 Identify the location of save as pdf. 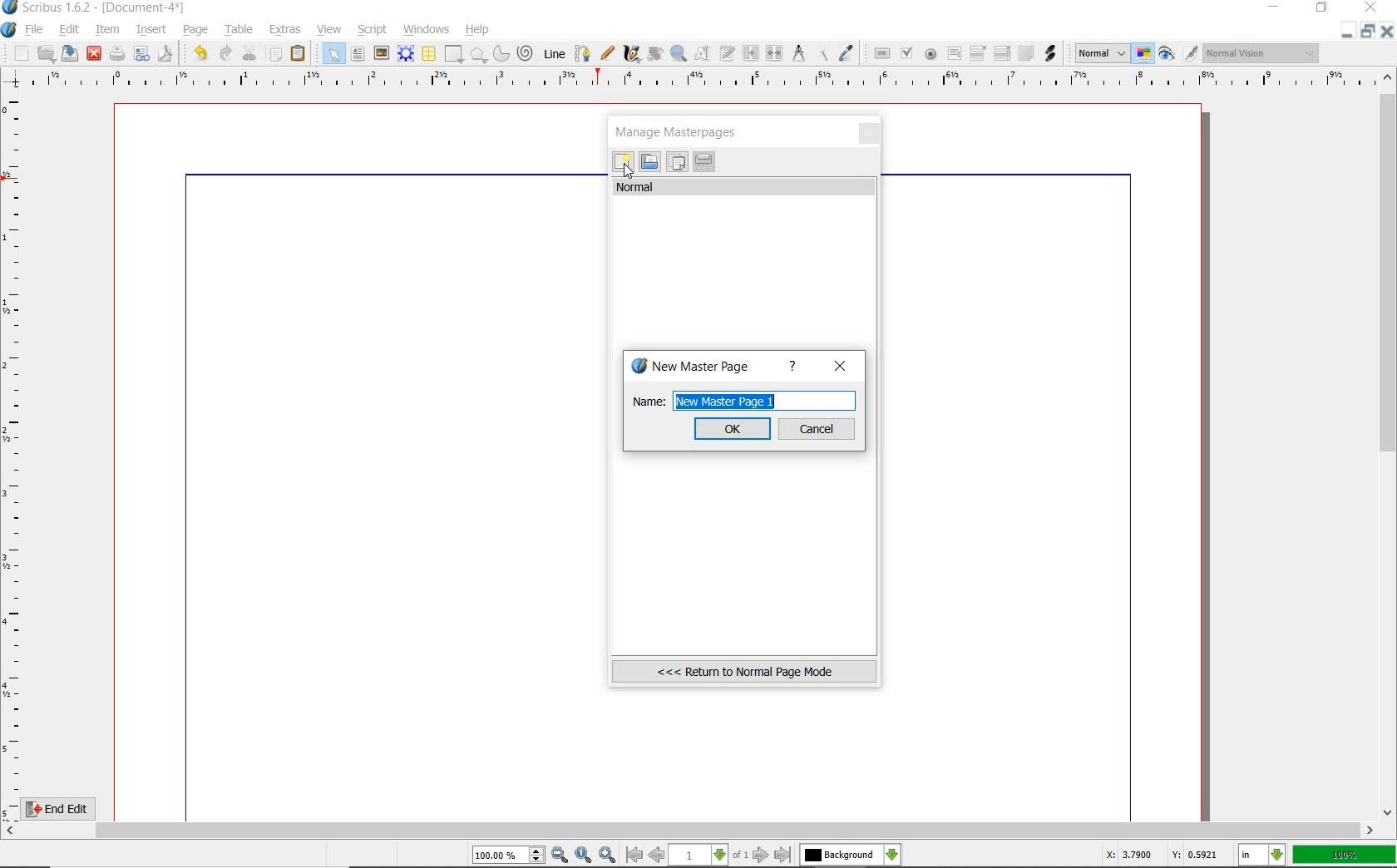
(164, 53).